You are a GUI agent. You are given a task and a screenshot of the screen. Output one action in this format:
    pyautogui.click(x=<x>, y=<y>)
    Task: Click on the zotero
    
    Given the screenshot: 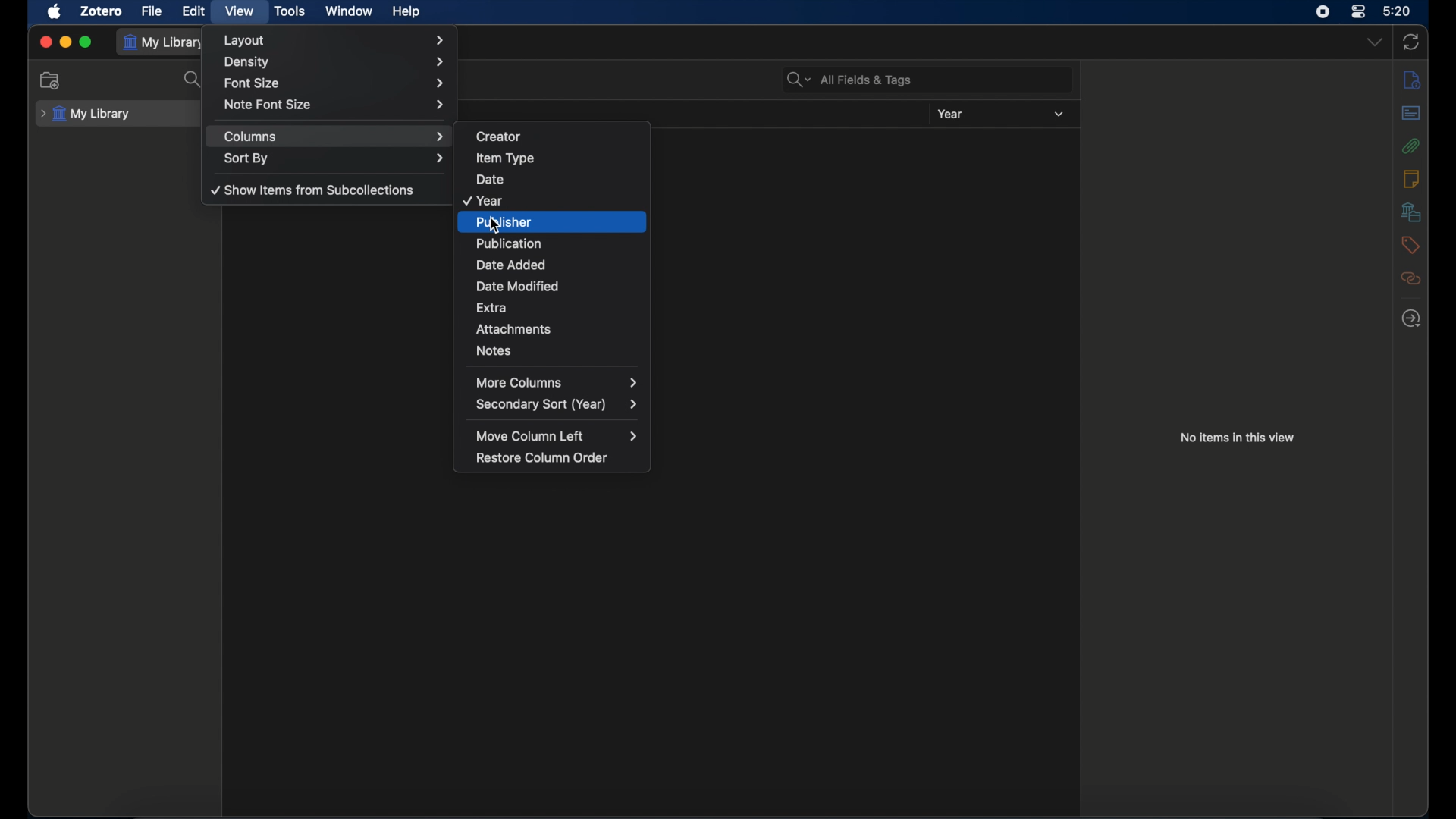 What is the action you would take?
    pyautogui.click(x=102, y=11)
    